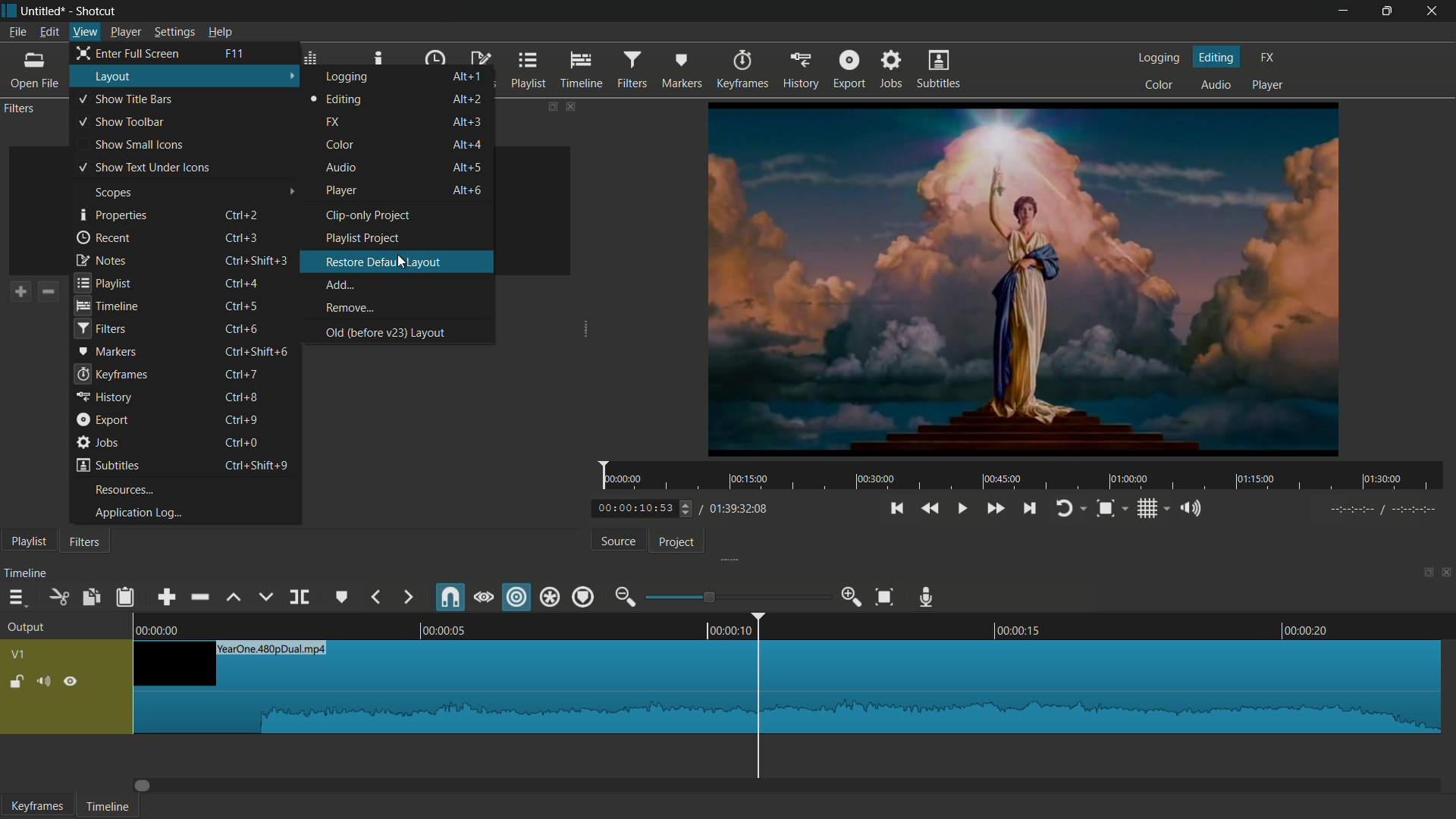  What do you see at coordinates (143, 168) in the screenshot?
I see `show text under icons` at bounding box center [143, 168].